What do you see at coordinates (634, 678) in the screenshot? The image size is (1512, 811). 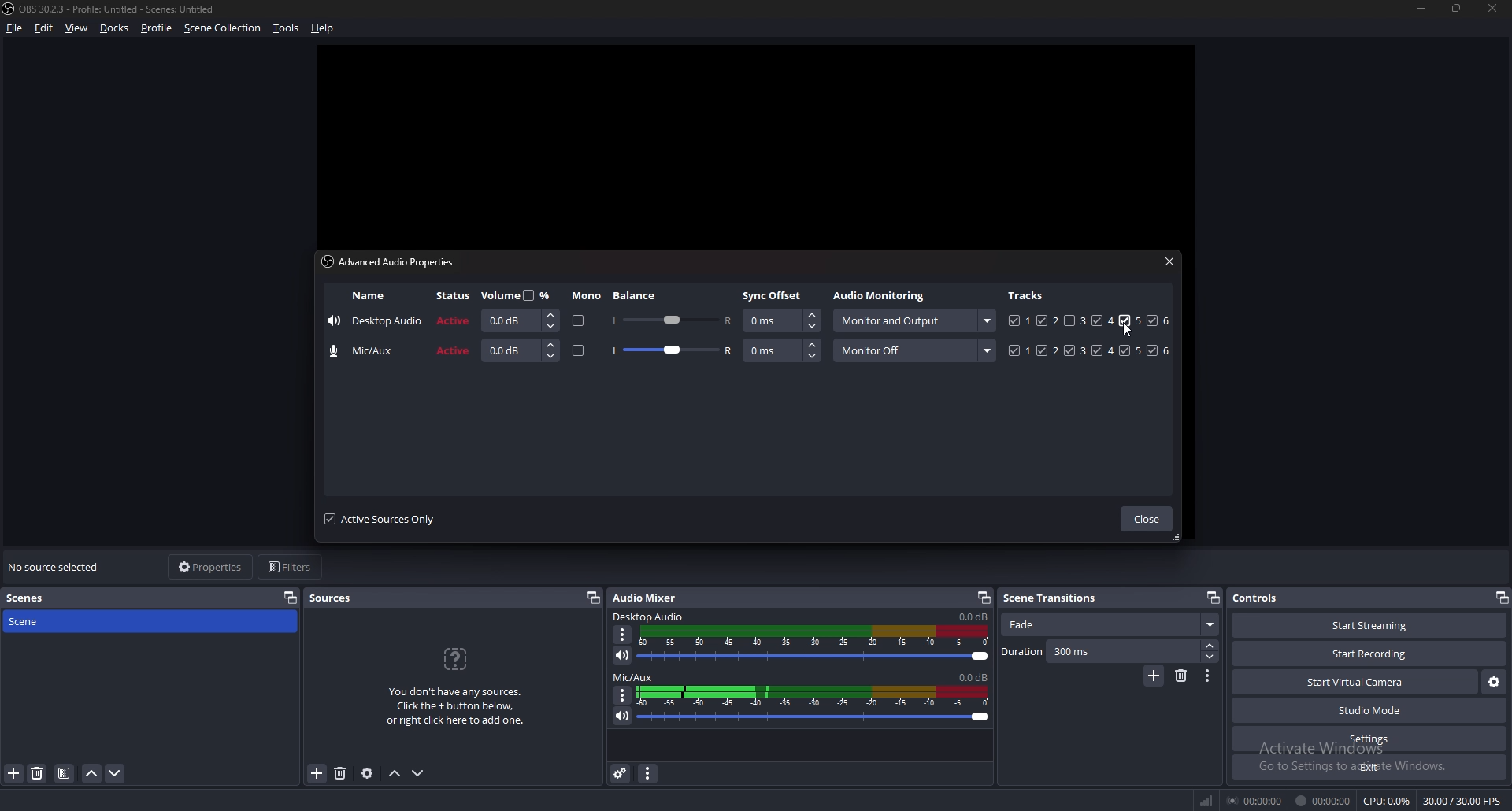 I see `mic/aux` at bounding box center [634, 678].